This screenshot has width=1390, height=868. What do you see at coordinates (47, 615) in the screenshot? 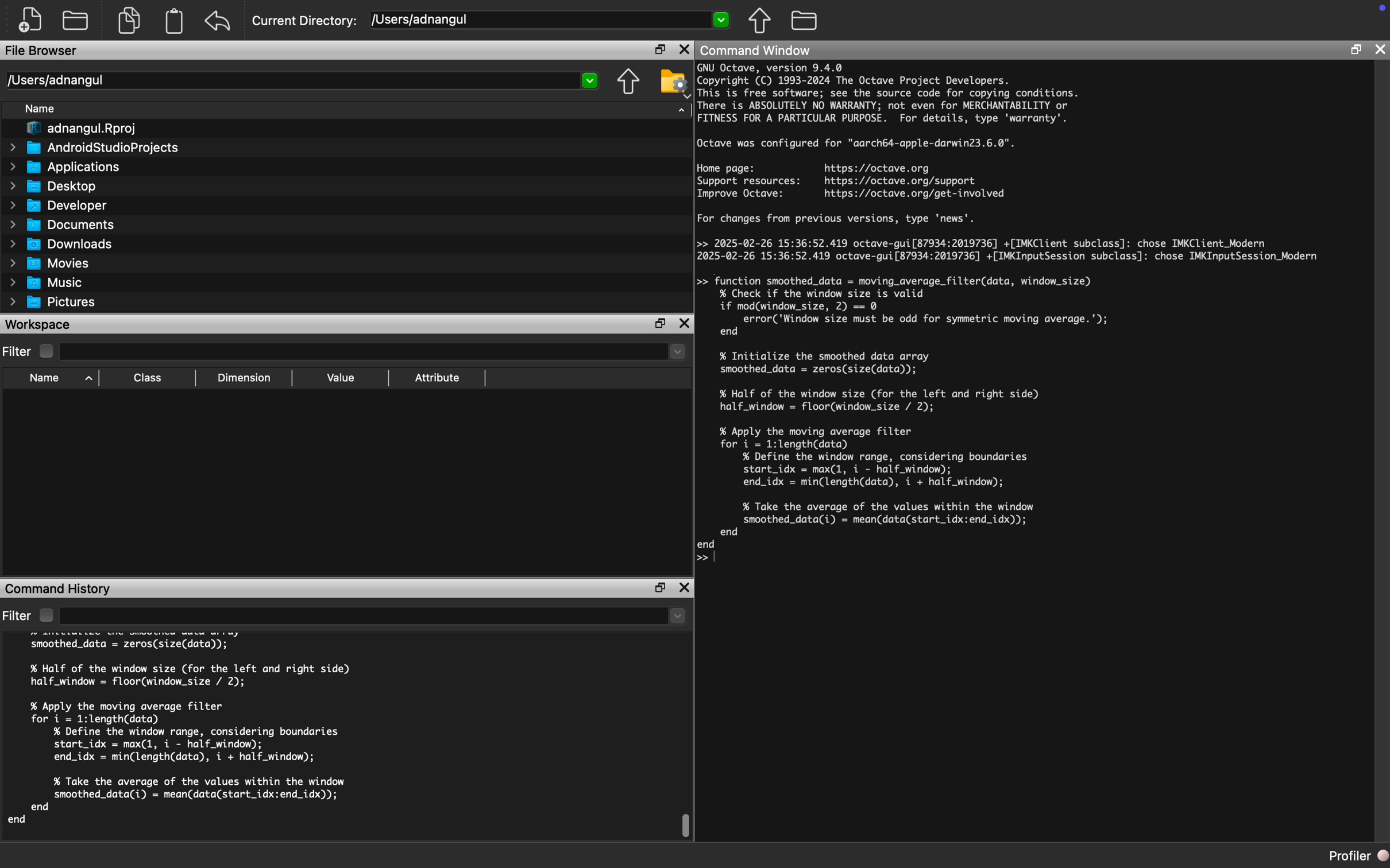
I see `Checkbox` at bounding box center [47, 615].